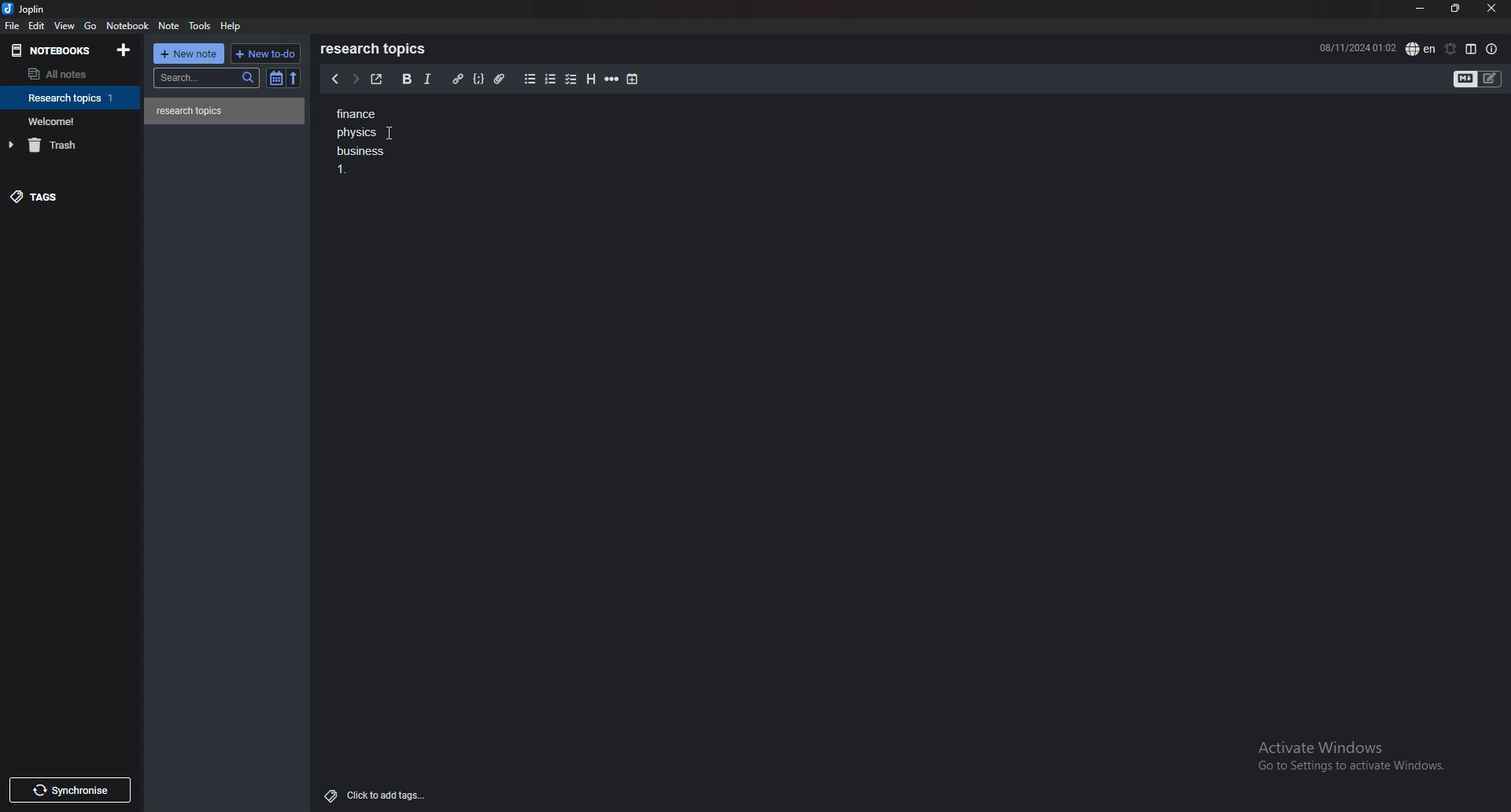 Image resolution: width=1511 pixels, height=812 pixels. I want to click on search bar, so click(208, 77).